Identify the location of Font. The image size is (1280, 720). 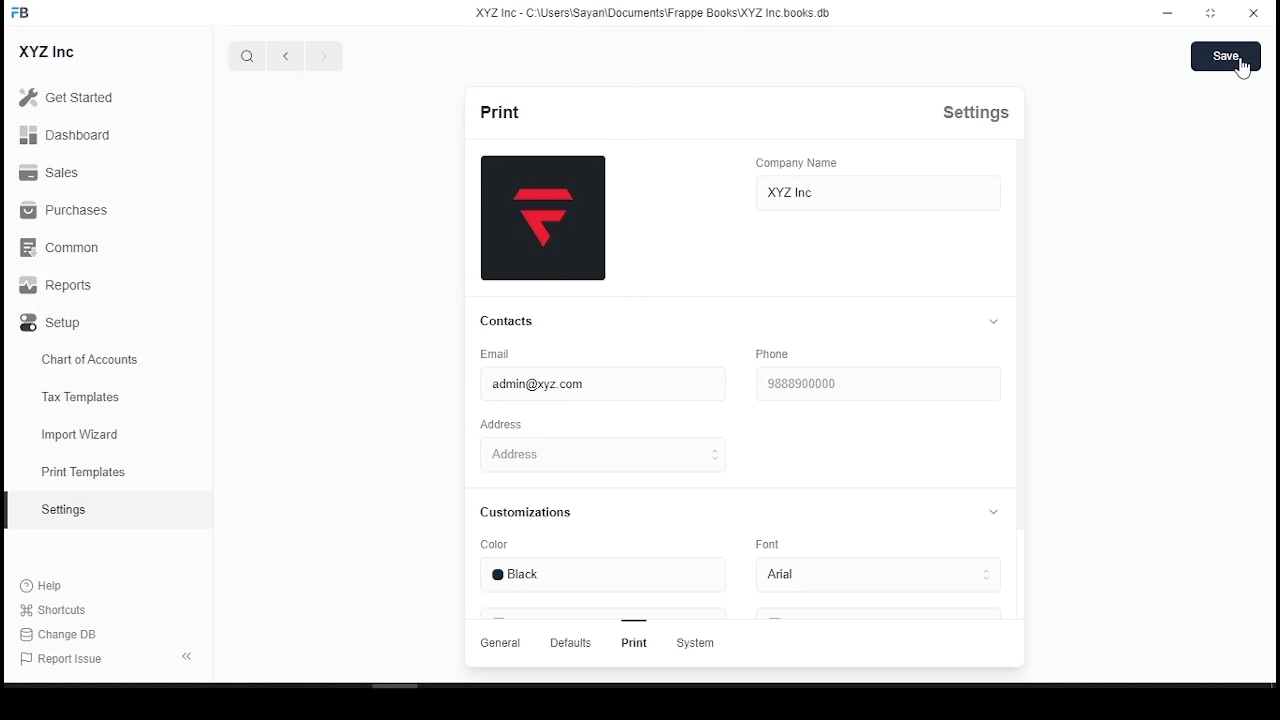
(768, 543).